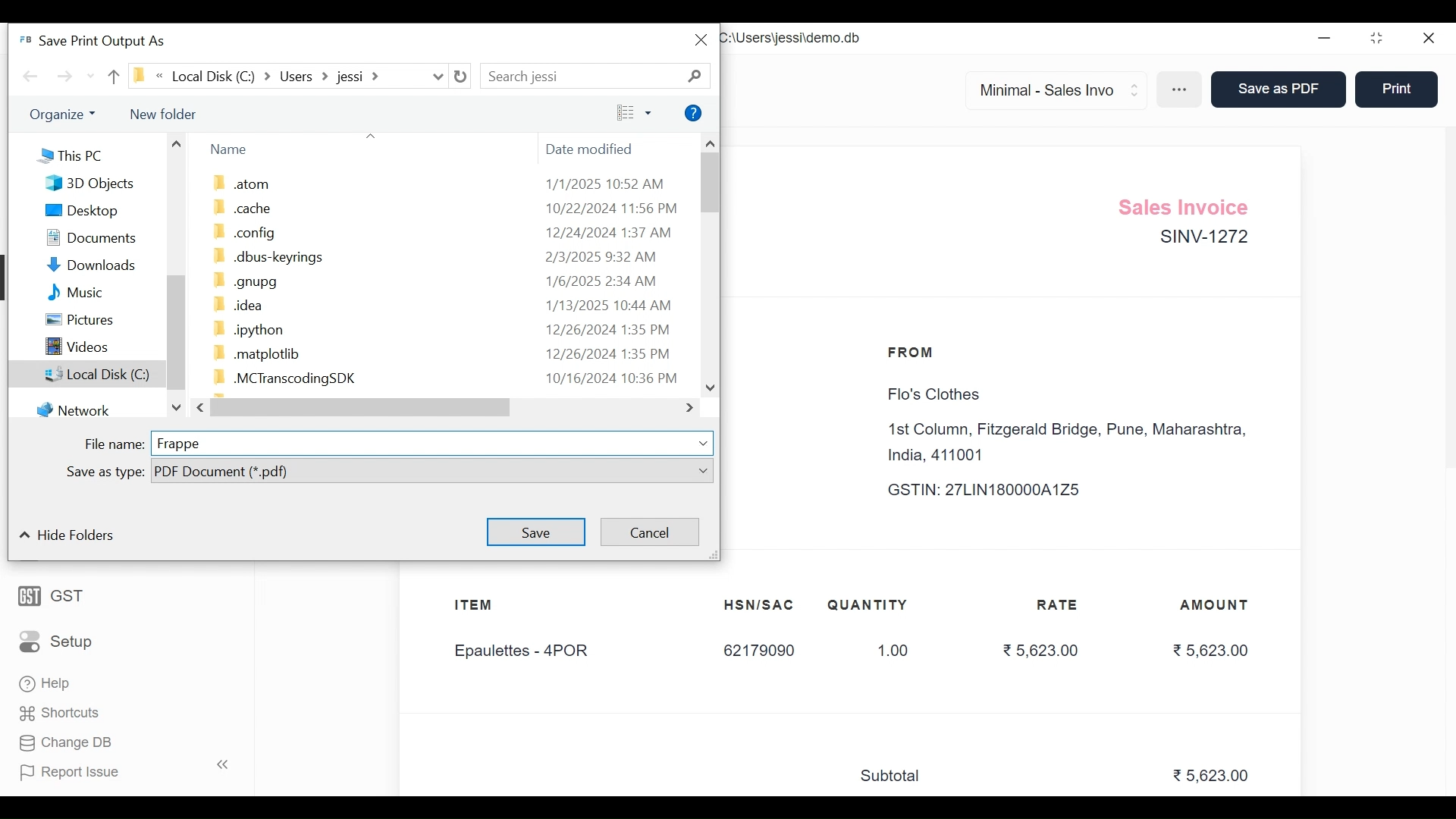  What do you see at coordinates (607, 232) in the screenshot?
I see `12/24/2024 1:37 AM` at bounding box center [607, 232].